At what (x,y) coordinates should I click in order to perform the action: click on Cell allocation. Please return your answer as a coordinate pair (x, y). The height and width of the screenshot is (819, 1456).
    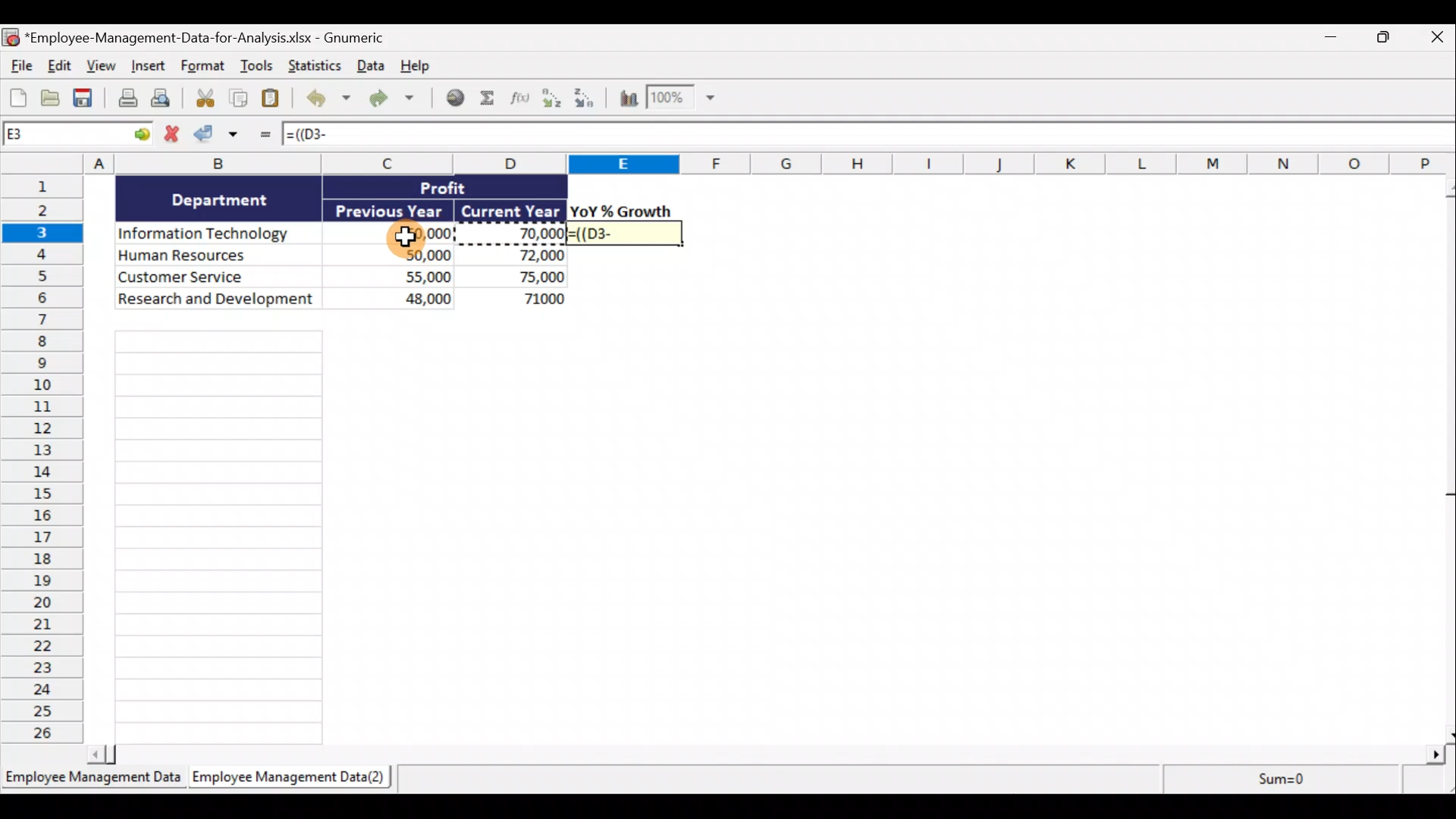
    Looking at the image, I should click on (79, 136).